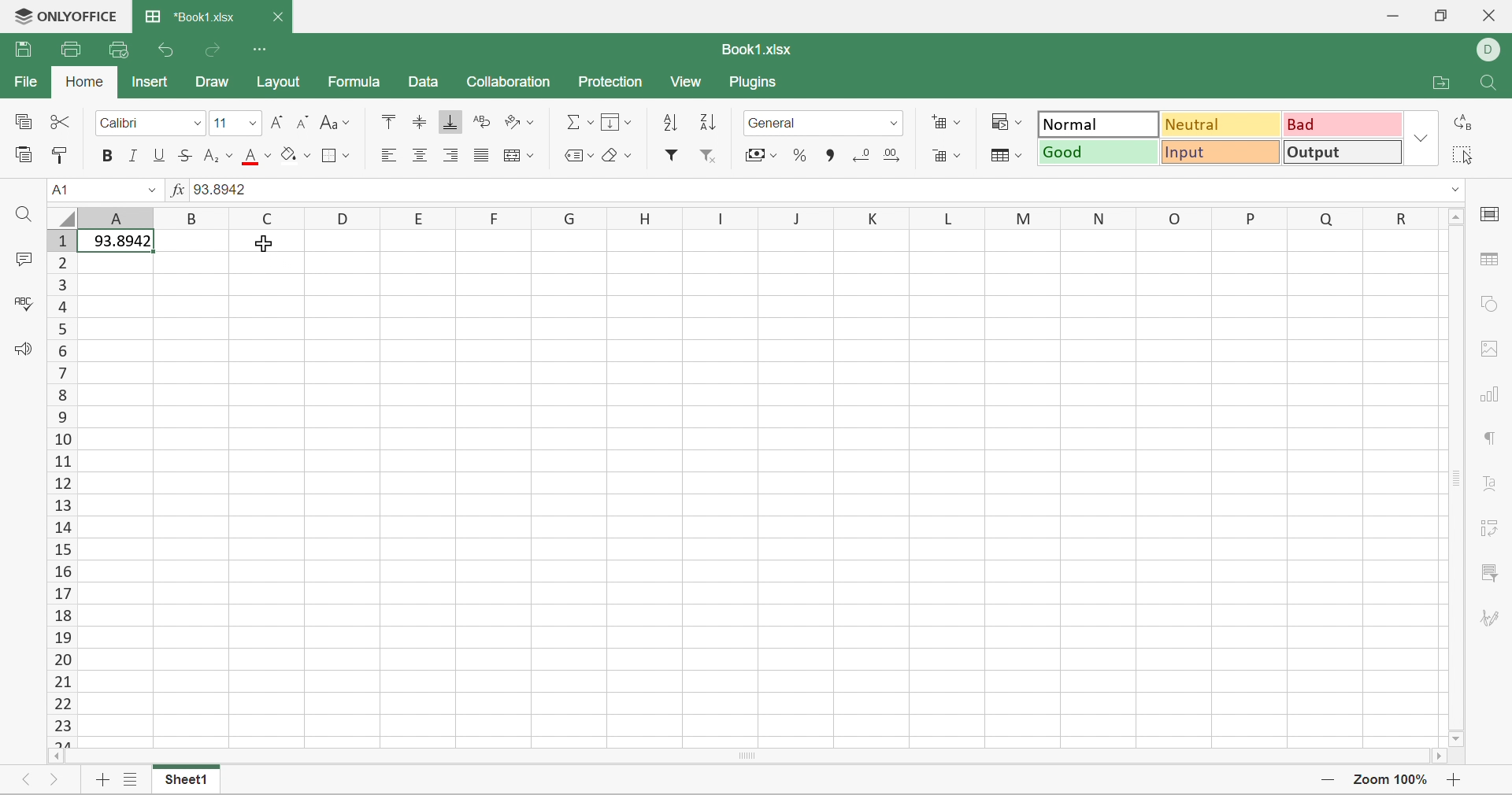 The height and width of the screenshot is (795, 1512). What do you see at coordinates (420, 154) in the screenshot?
I see `Align Center` at bounding box center [420, 154].